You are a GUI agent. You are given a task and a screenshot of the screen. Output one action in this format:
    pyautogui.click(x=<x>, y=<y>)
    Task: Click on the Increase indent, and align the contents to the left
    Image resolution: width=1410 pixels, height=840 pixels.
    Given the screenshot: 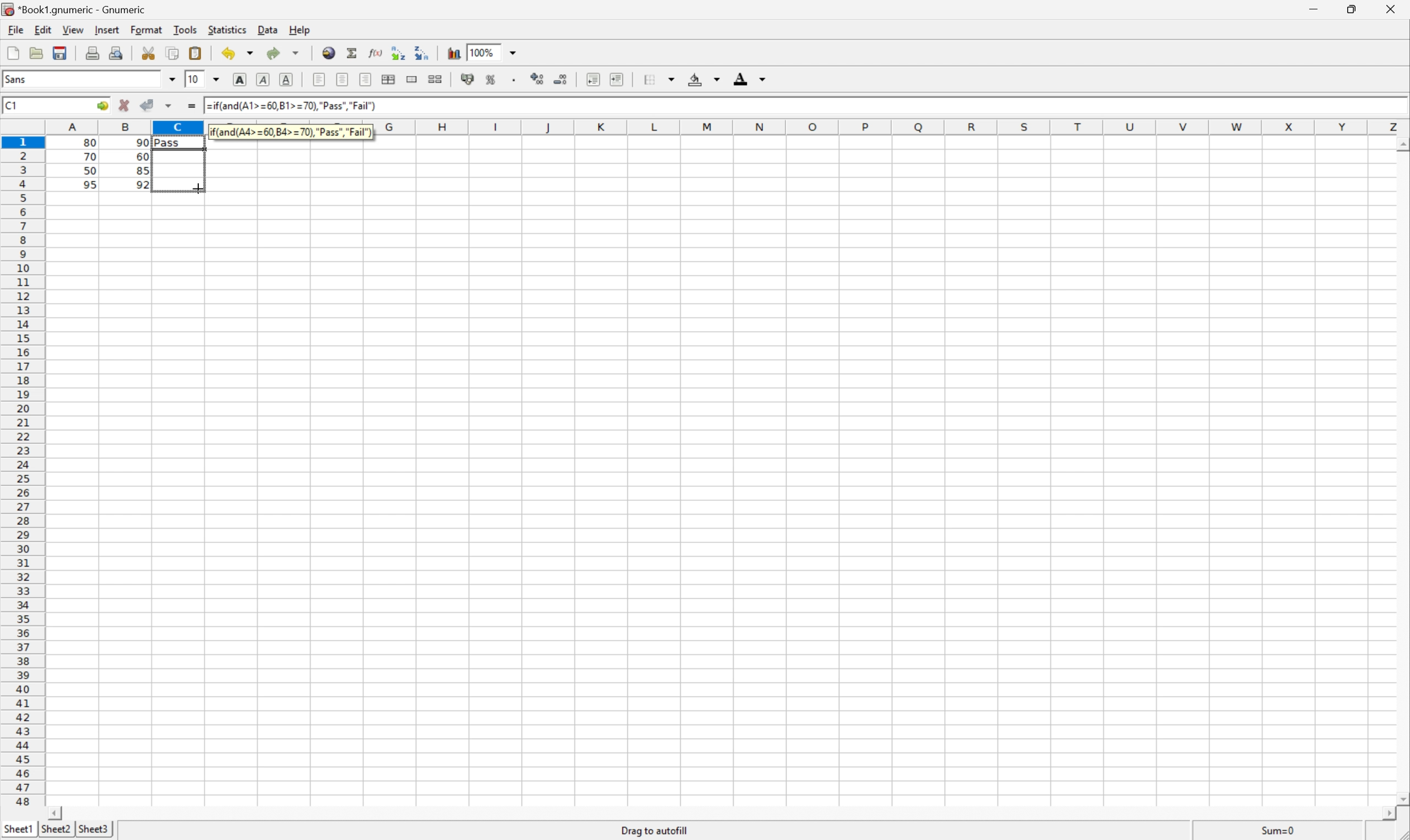 What is the action you would take?
    pyautogui.click(x=619, y=78)
    